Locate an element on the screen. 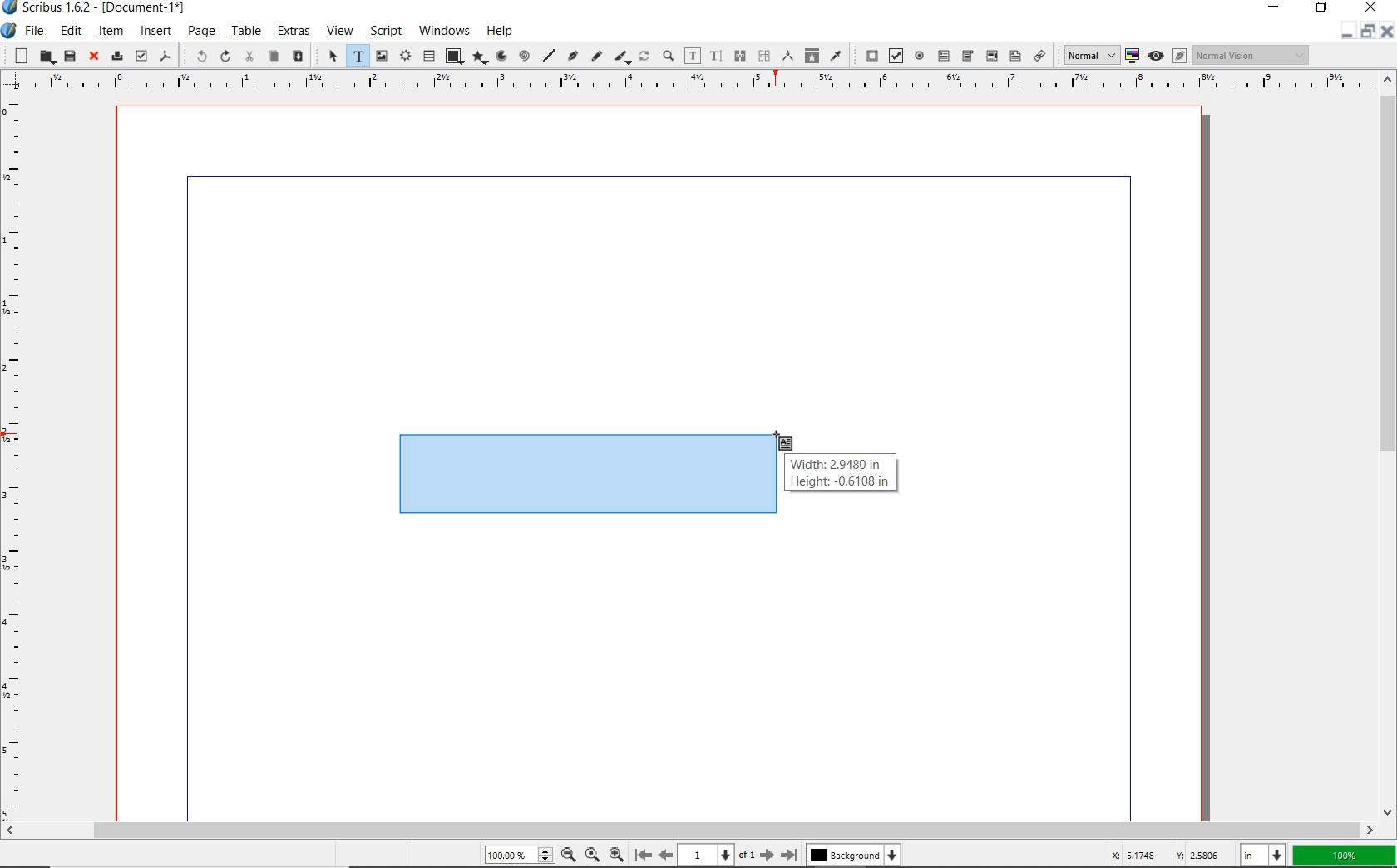  cut is located at coordinates (249, 57).